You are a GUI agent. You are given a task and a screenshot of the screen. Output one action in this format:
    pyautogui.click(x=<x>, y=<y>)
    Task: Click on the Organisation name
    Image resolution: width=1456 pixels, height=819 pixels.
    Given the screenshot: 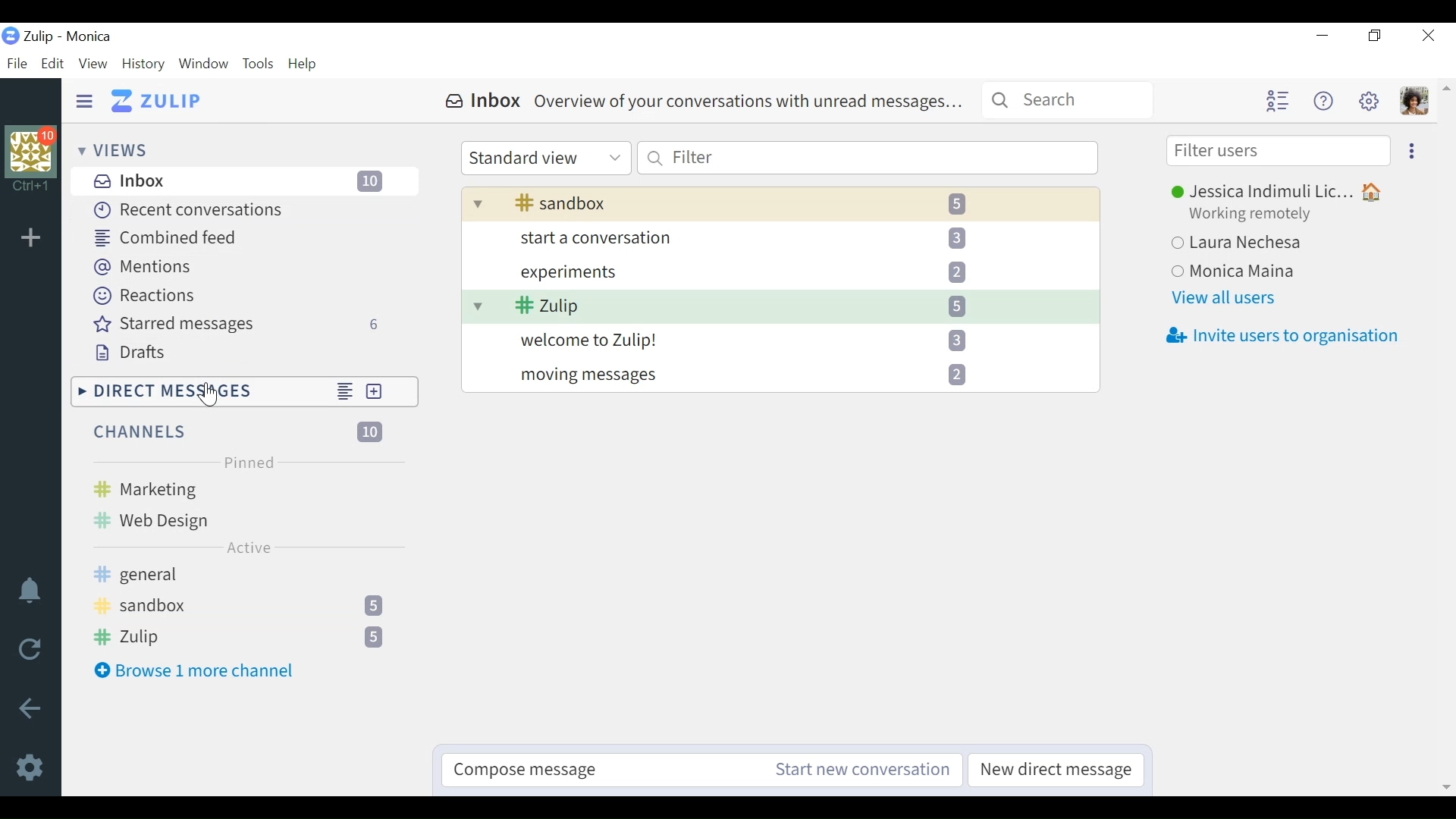 What is the action you would take?
    pyautogui.click(x=89, y=38)
    